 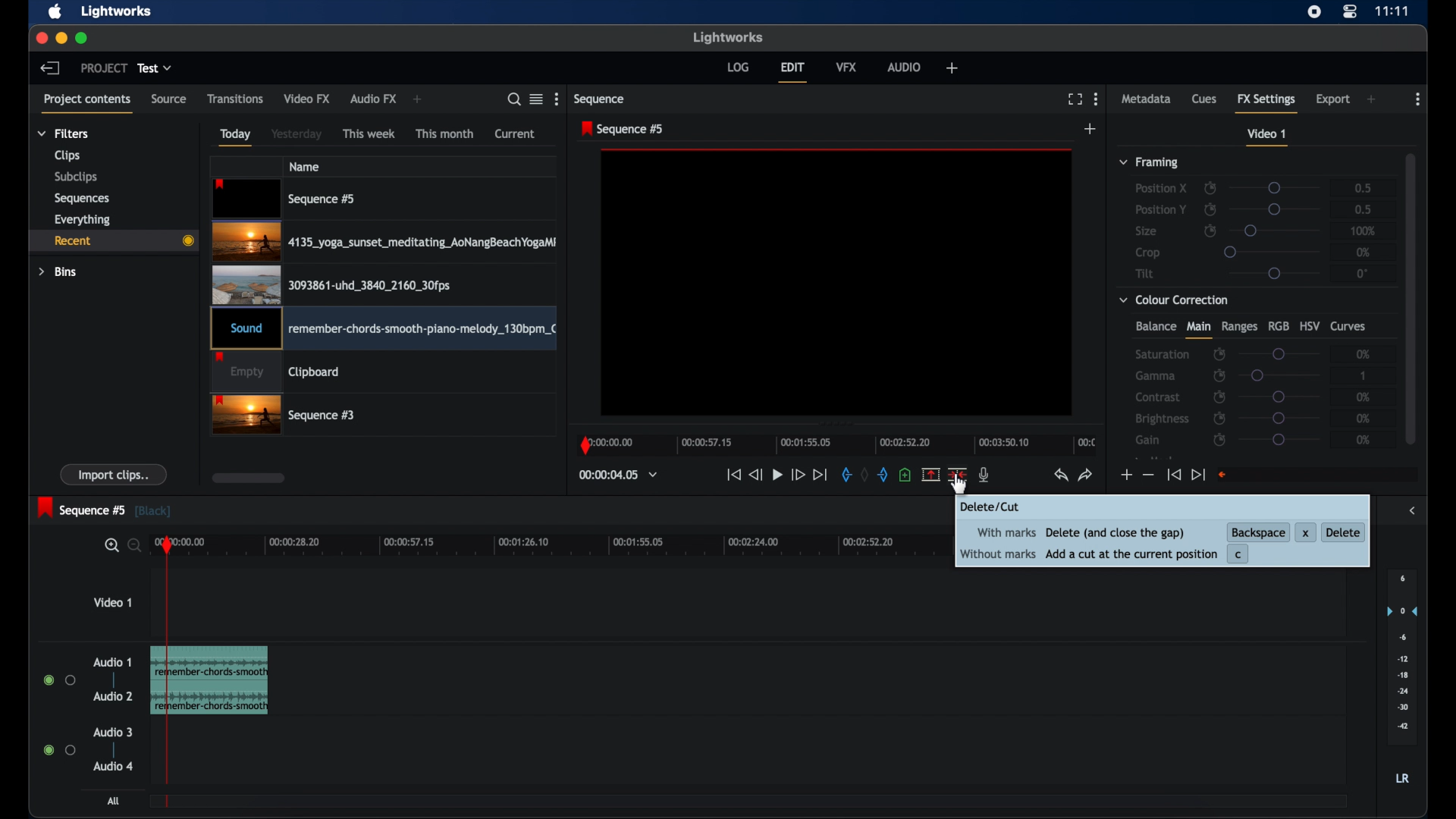 I want to click on timeline , so click(x=836, y=442).